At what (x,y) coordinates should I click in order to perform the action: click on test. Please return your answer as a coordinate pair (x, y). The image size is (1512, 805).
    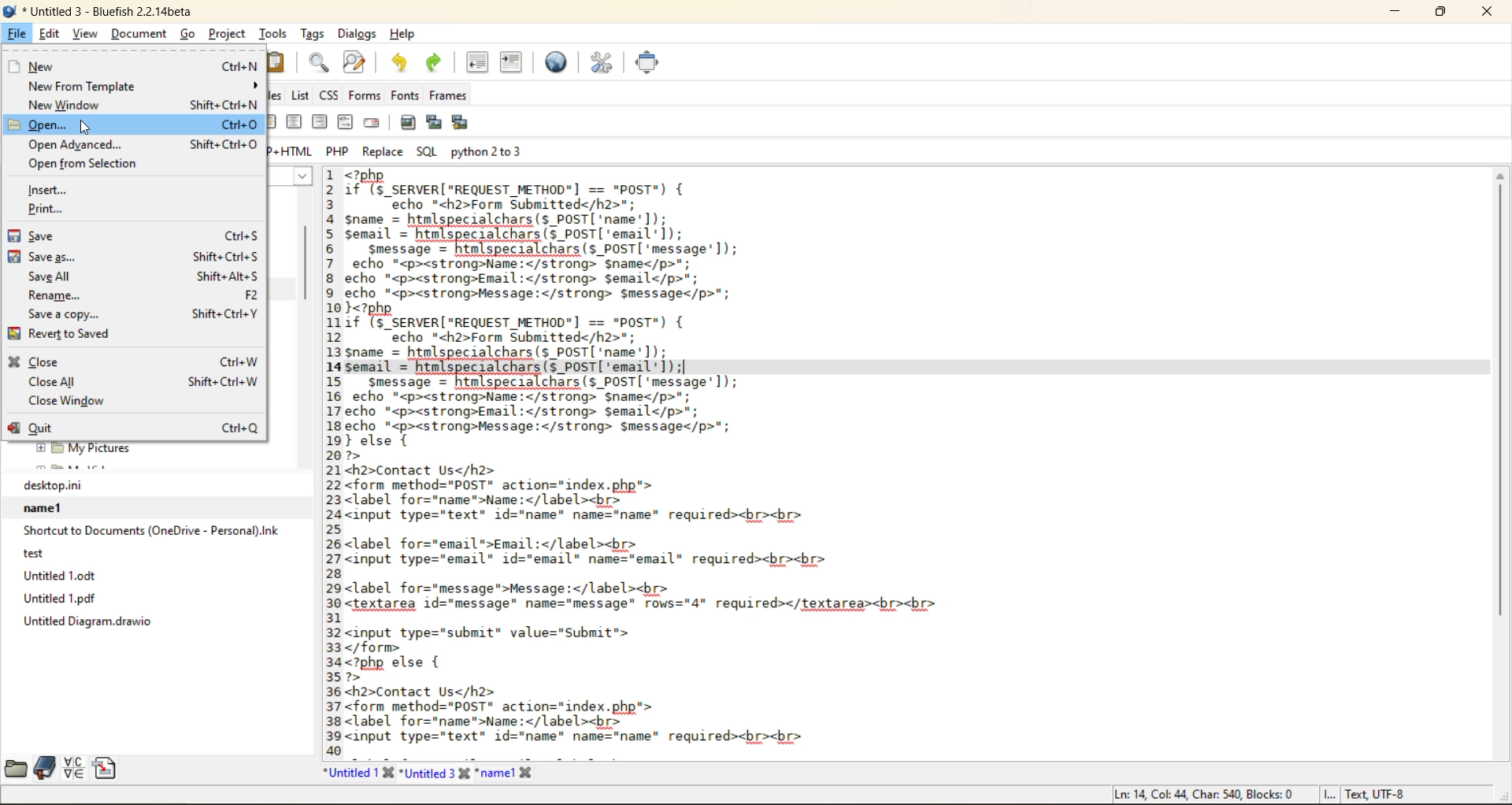
    Looking at the image, I should click on (142, 553).